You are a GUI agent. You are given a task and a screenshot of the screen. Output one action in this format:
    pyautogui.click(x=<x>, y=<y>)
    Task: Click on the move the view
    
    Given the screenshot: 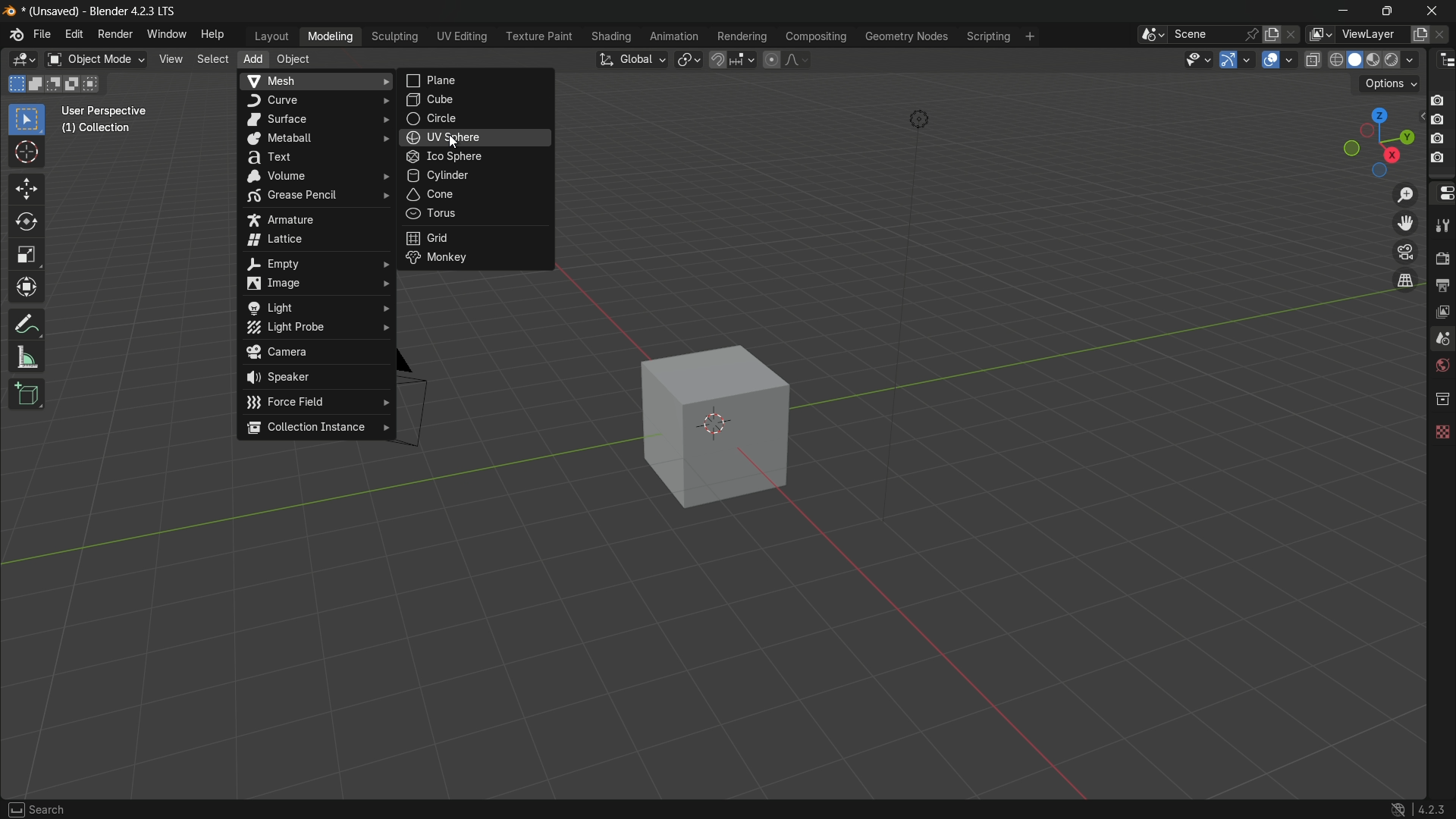 What is the action you would take?
    pyautogui.click(x=1404, y=224)
    